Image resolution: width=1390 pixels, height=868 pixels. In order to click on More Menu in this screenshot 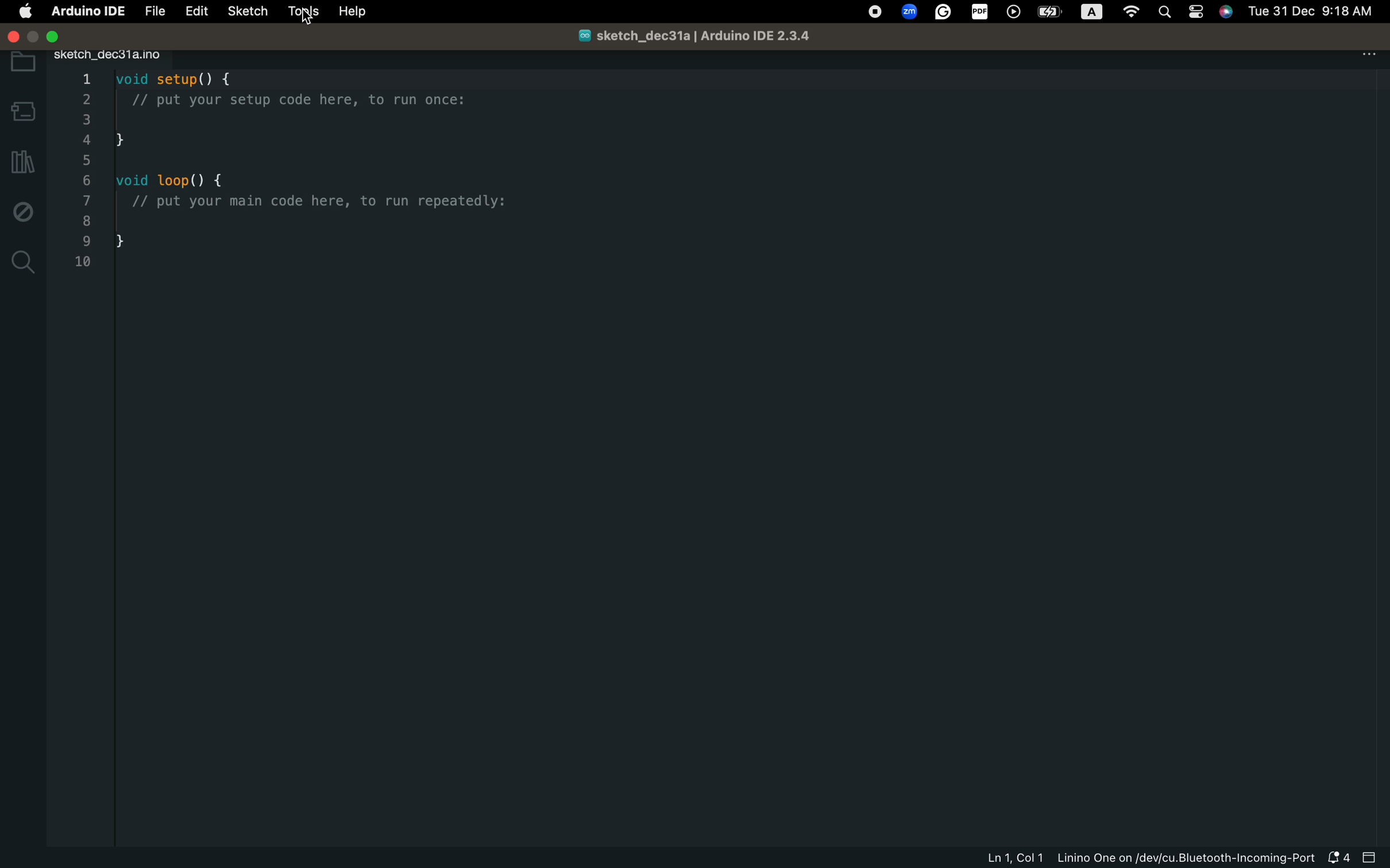, I will do `click(1370, 53)`.